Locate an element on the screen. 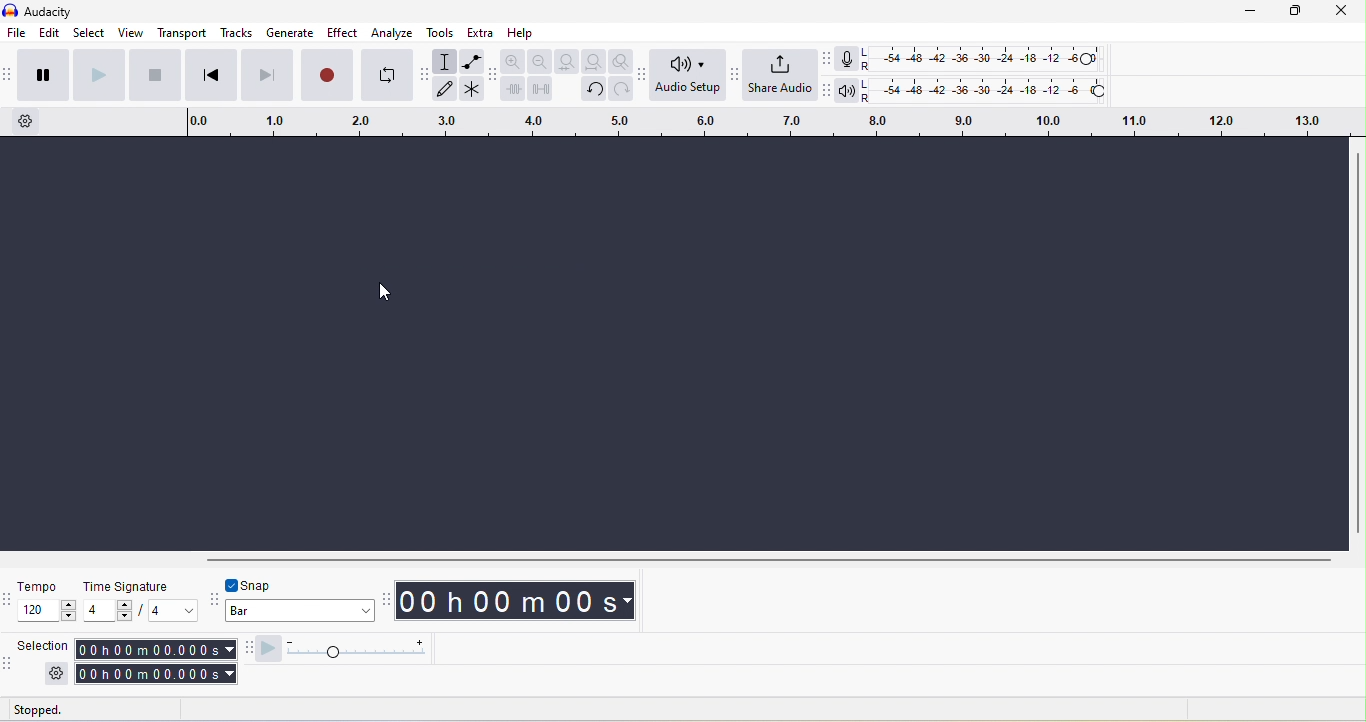 The width and height of the screenshot is (1366, 722). toggle snap is located at coordinates (250, 585).